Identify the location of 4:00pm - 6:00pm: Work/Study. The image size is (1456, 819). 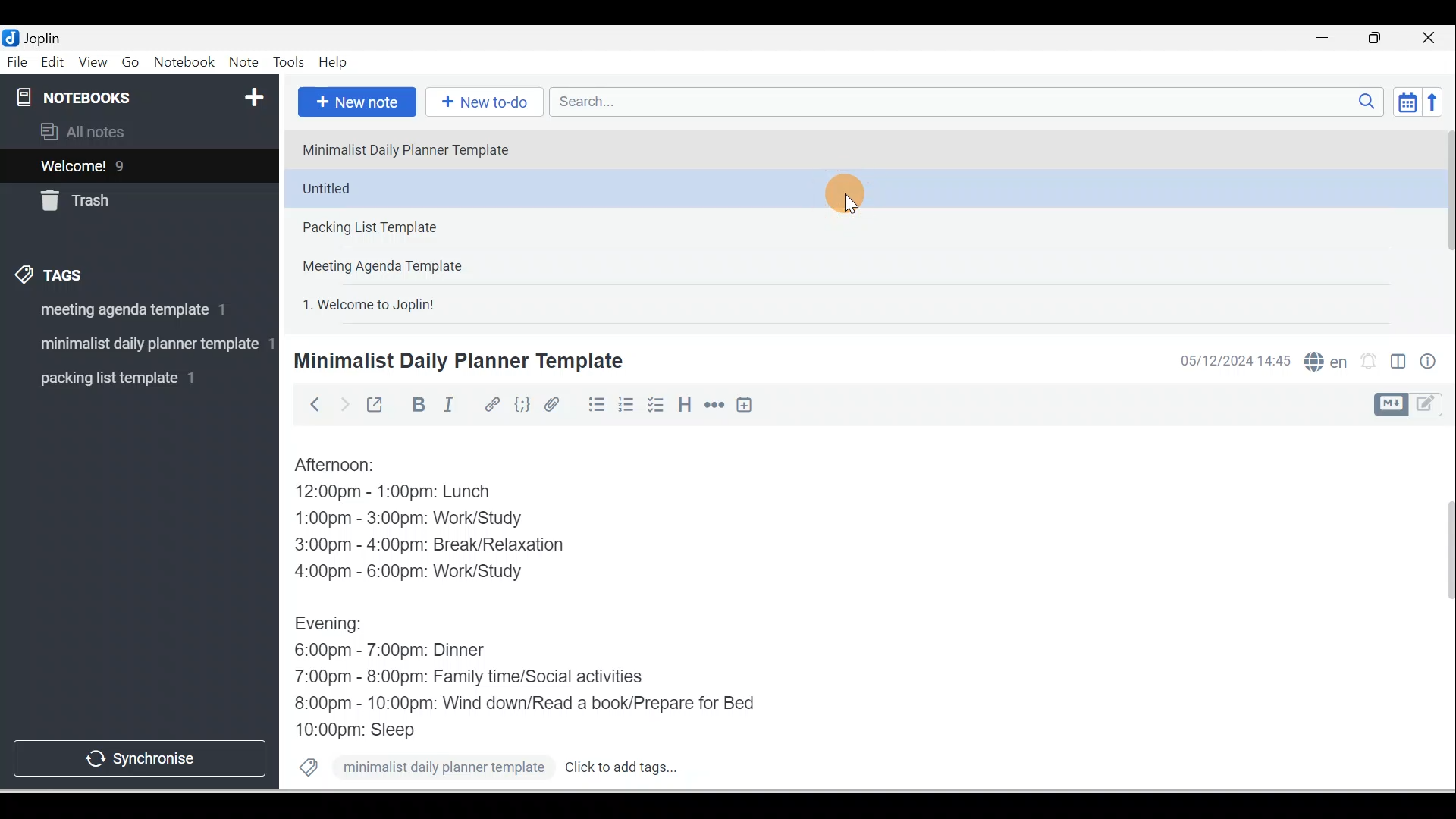
(415, 572).